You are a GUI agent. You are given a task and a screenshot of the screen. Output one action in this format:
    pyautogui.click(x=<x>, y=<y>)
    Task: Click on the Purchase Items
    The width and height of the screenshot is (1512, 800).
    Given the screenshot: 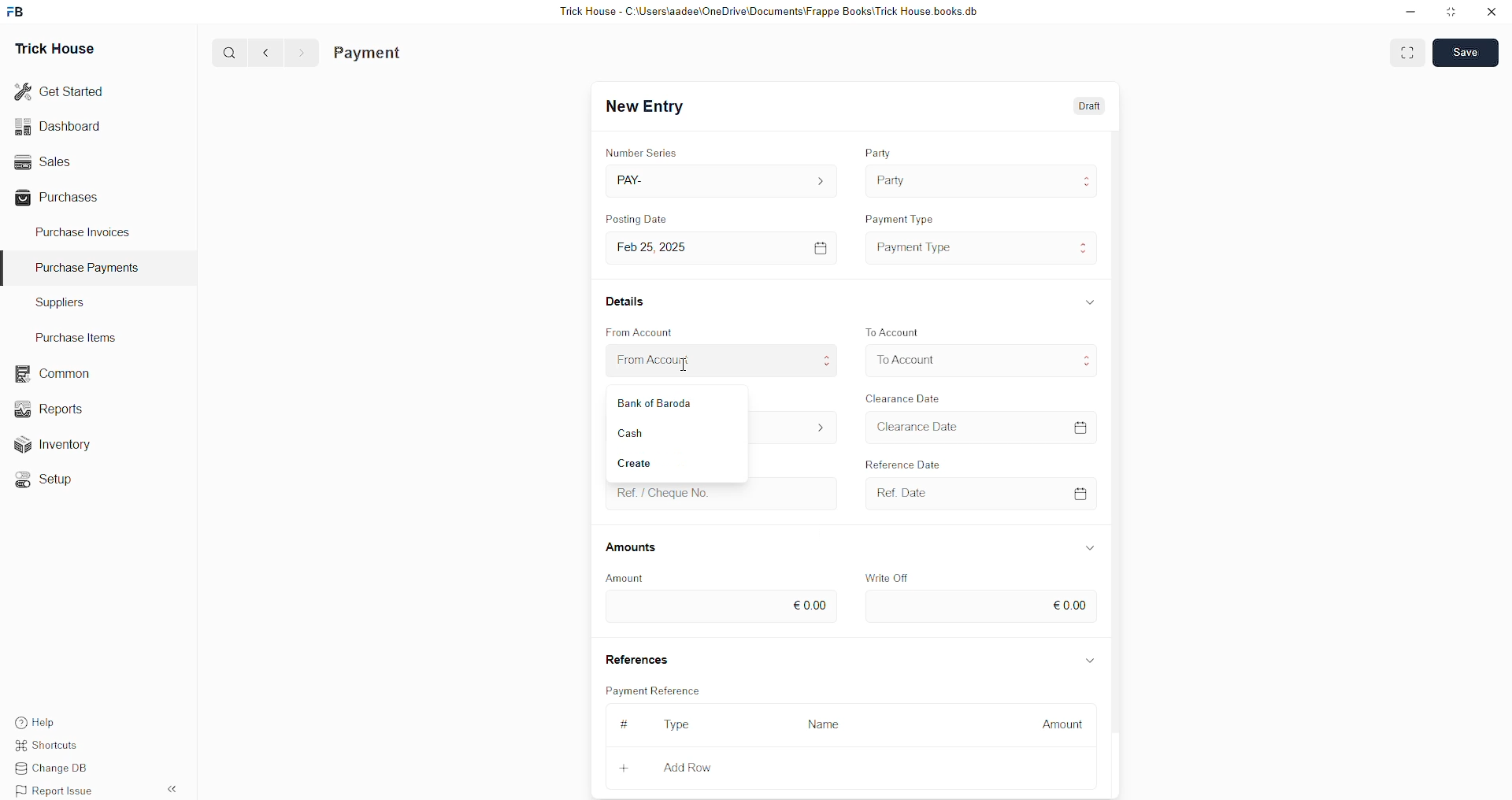 What is the action you would take?
    pyautogui.click(x=80, y=335)
    